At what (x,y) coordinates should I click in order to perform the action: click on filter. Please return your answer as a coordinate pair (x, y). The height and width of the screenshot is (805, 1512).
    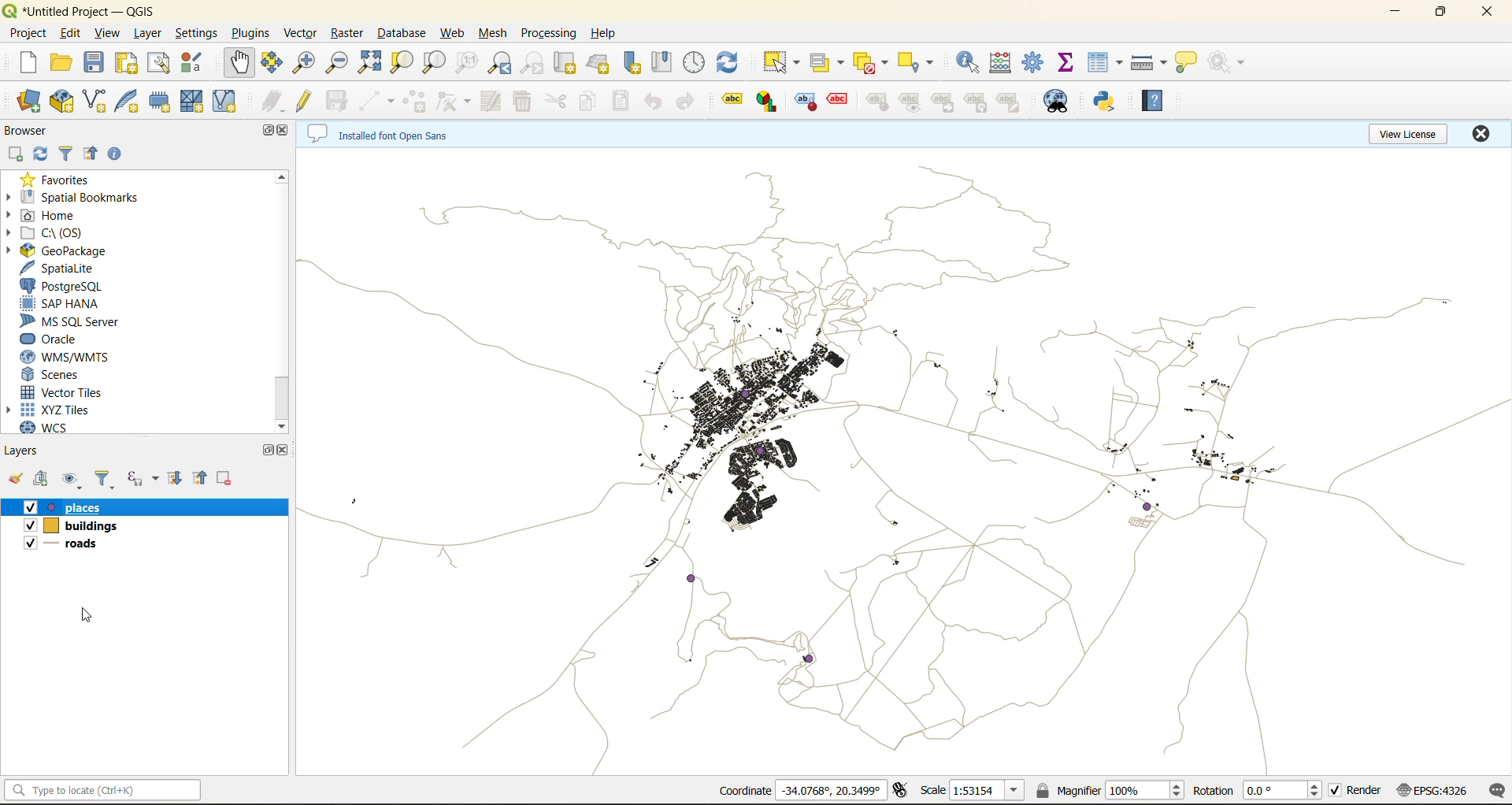
    Looking at the image, I should click on (69, 152).